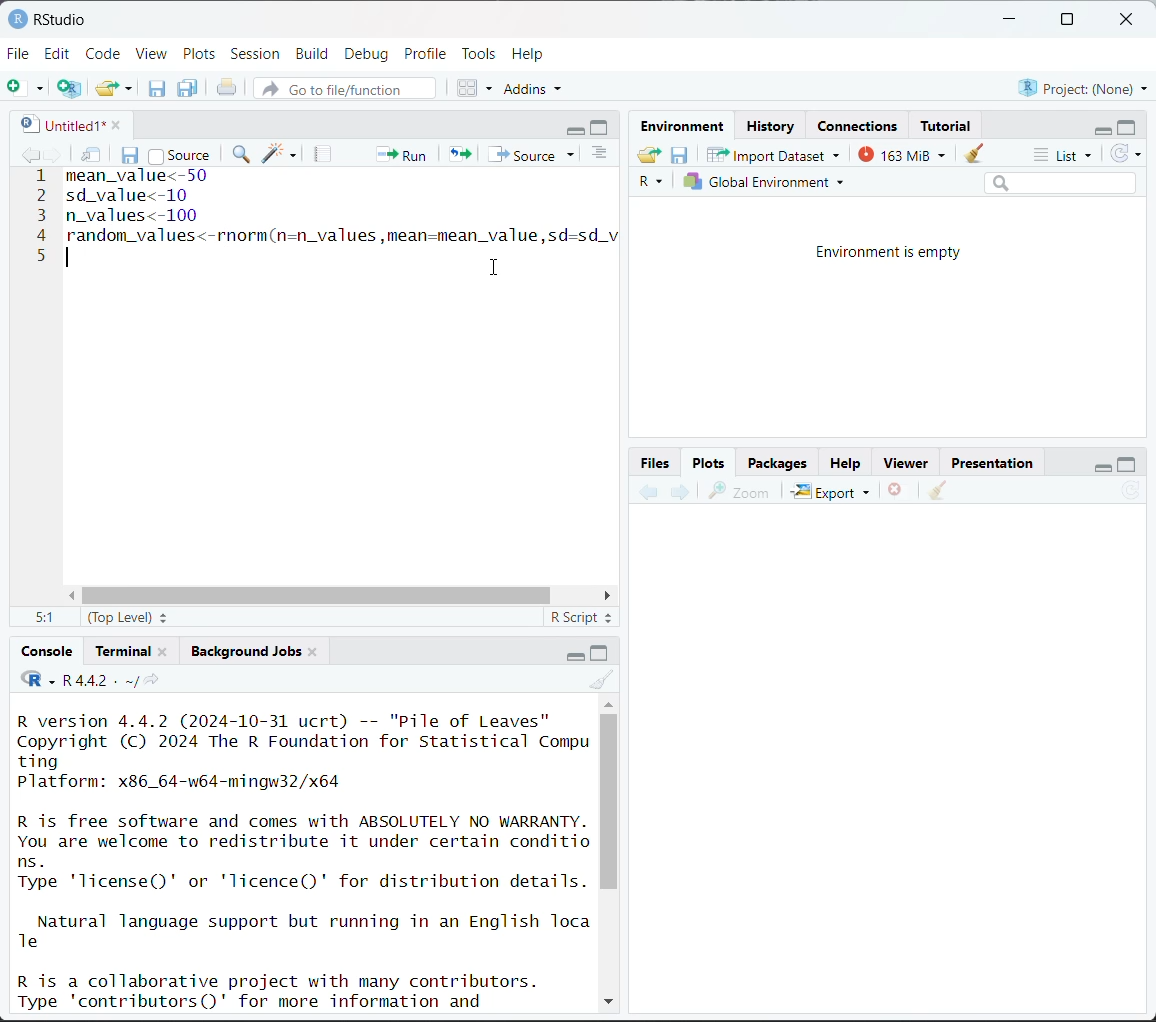 The image size is (1156, 1022). What do you see at coordinates (860, 126) in the screenshot?
I see `Connections` at bounding box center [860, 126].